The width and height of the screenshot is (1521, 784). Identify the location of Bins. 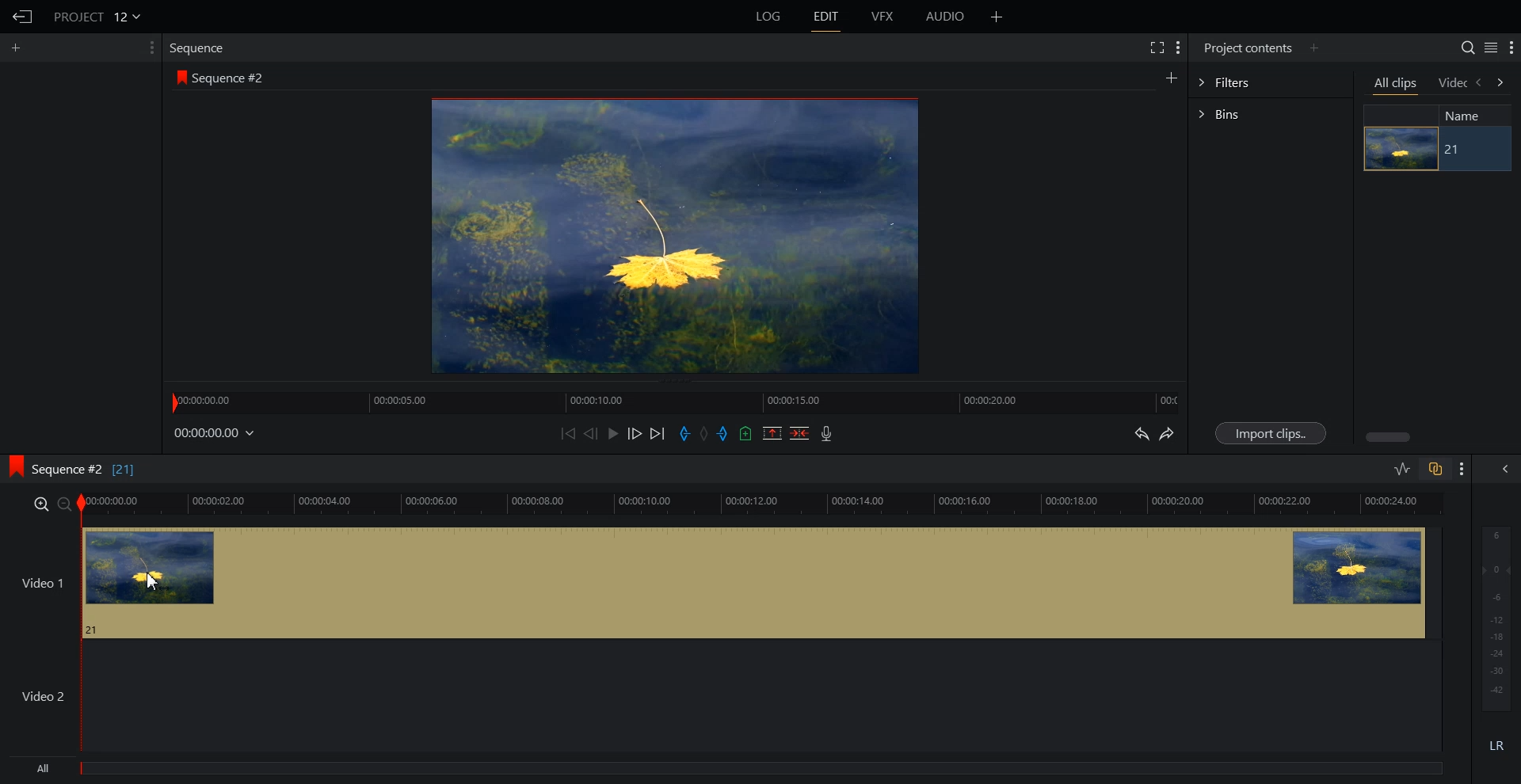
(1271, 112).